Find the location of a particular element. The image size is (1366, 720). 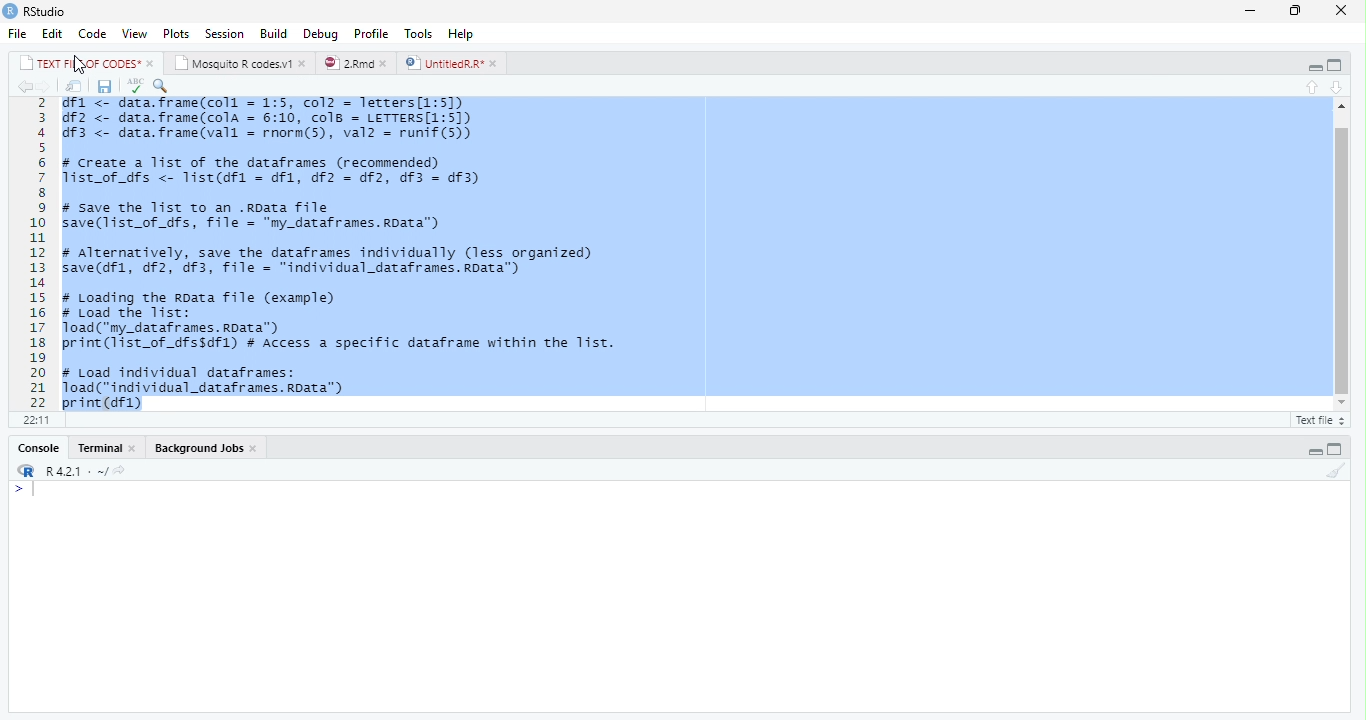

View is located at coordinates (135, 34).